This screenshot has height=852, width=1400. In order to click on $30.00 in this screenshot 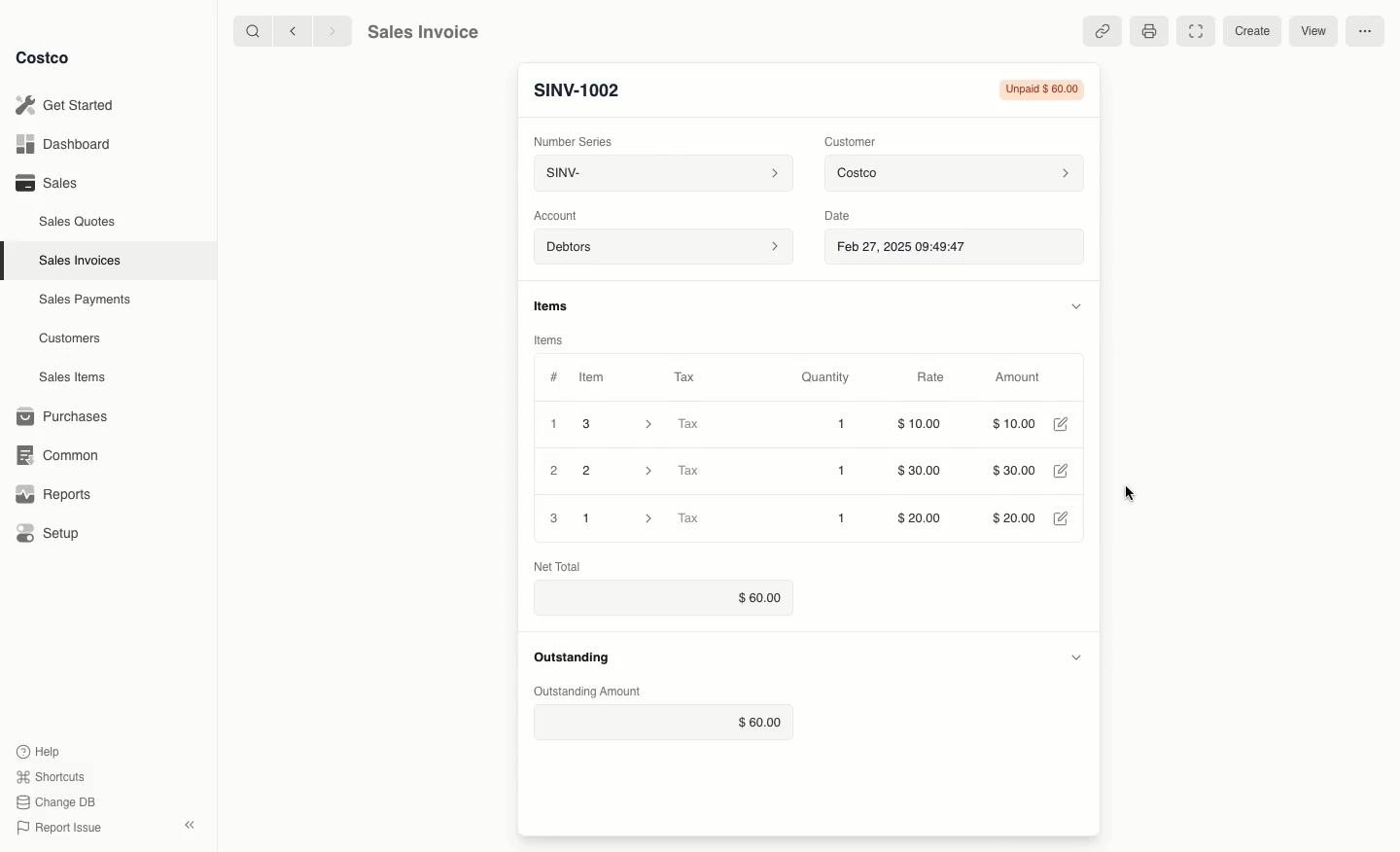, I will do `click(917, 472)`.